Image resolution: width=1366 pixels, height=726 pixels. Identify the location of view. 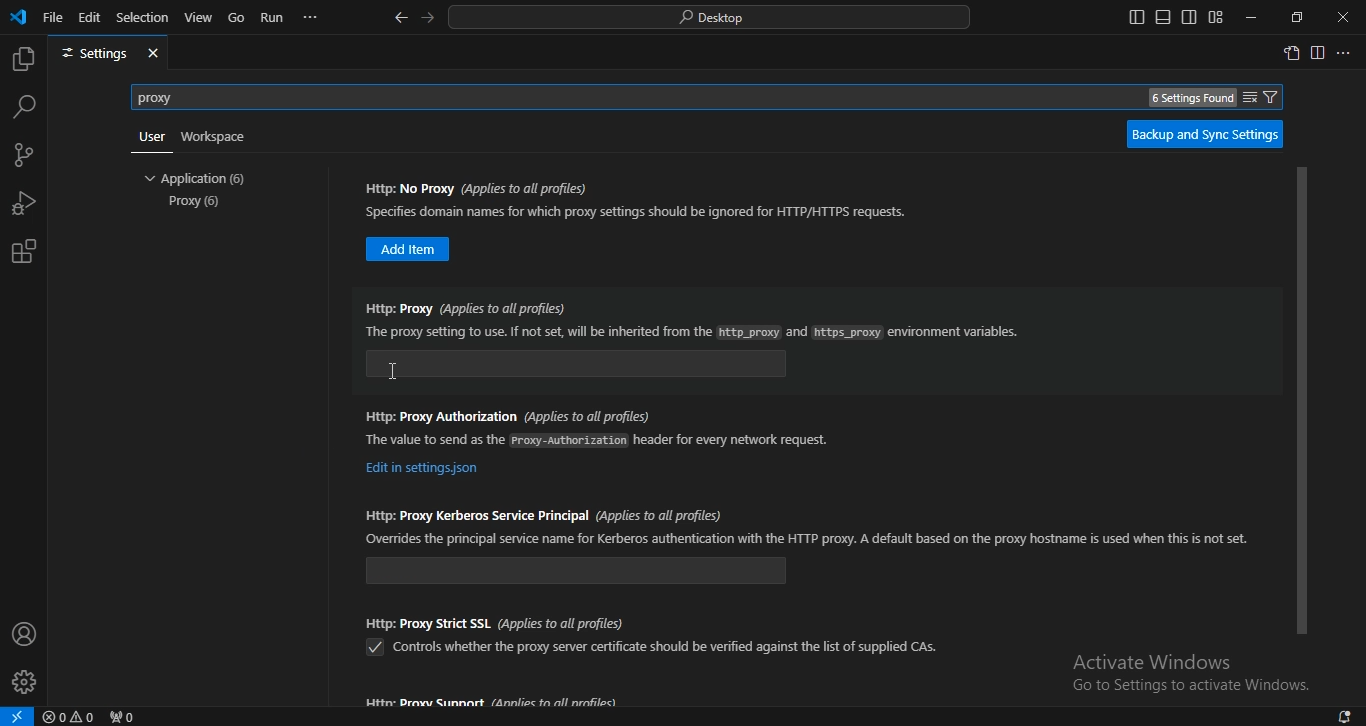
(198, 16).